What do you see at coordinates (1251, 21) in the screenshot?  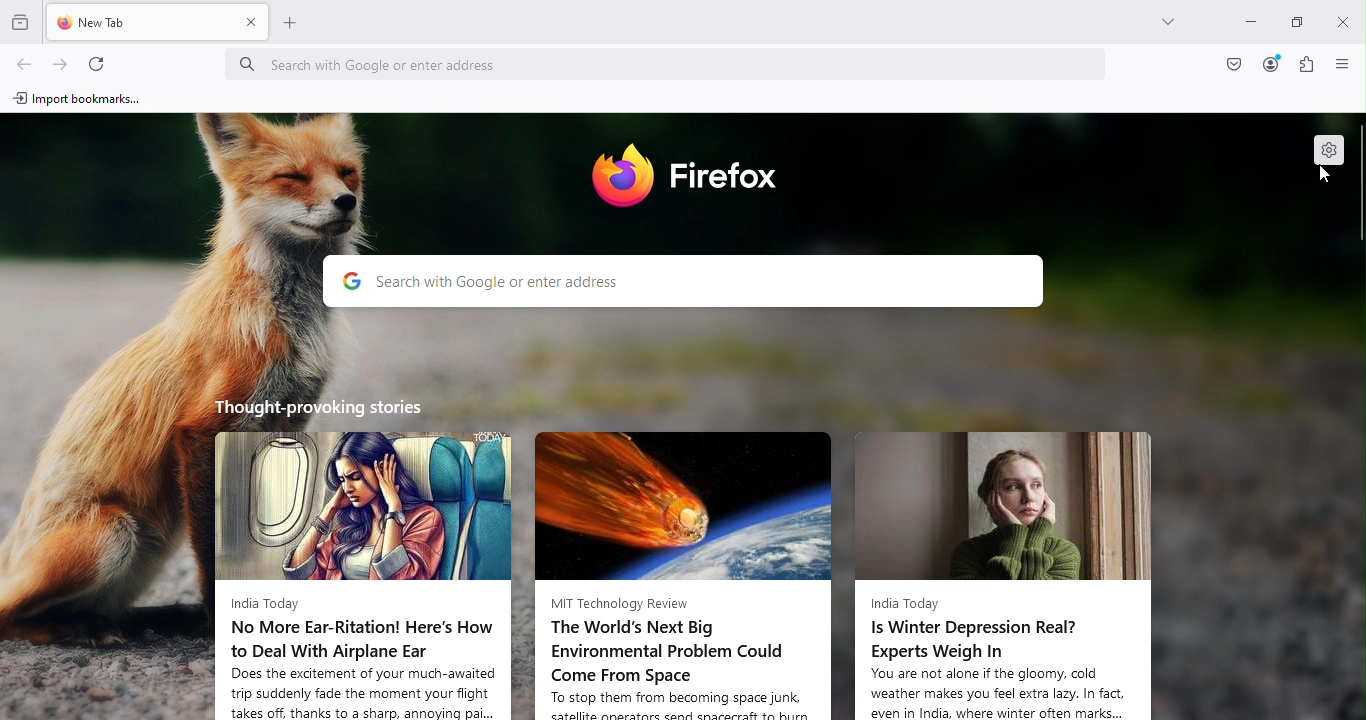 I see `Minimize` at bounding box center [1251, 21].